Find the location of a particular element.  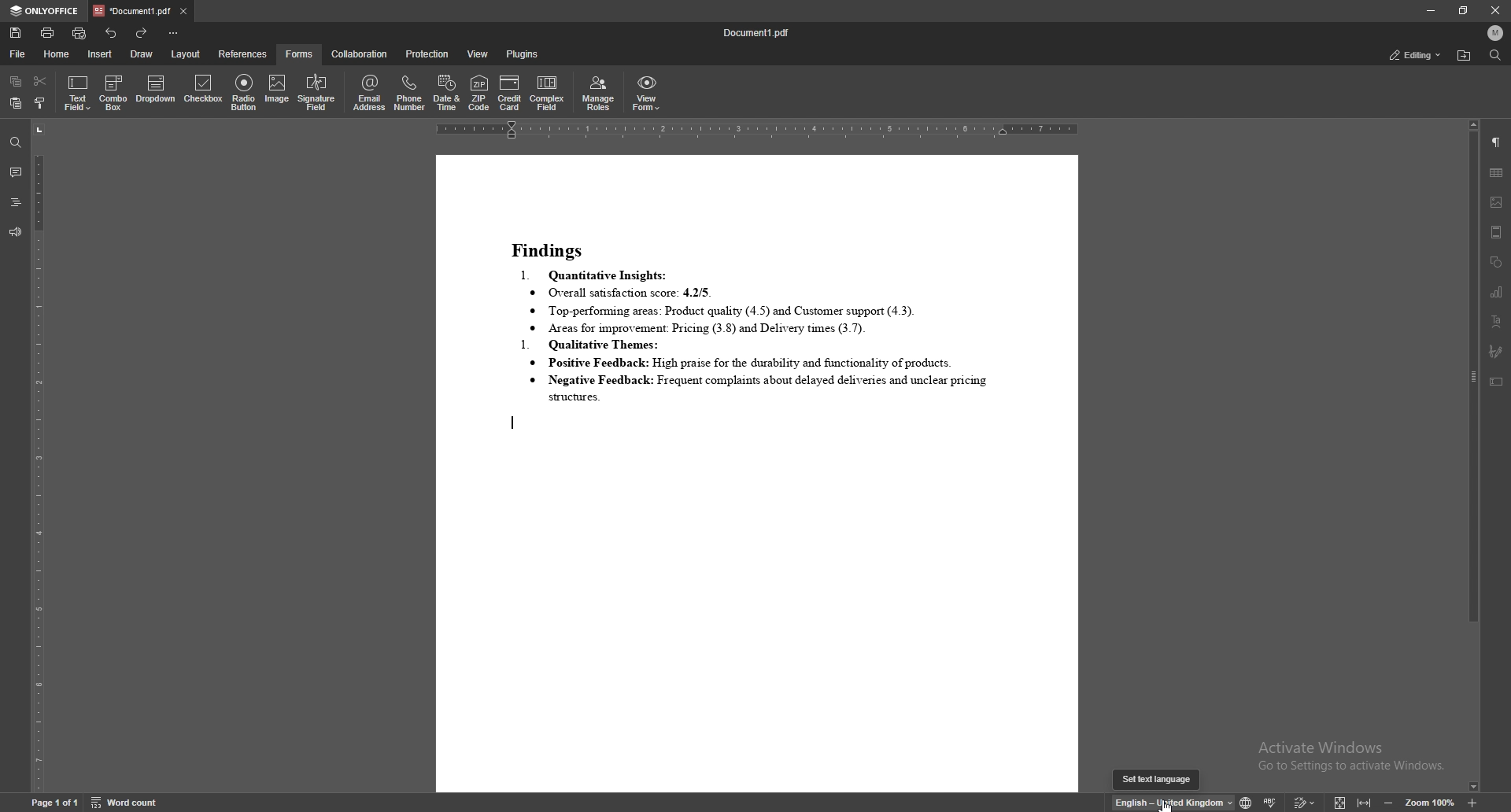

headings is located at coordinates (15, 202).